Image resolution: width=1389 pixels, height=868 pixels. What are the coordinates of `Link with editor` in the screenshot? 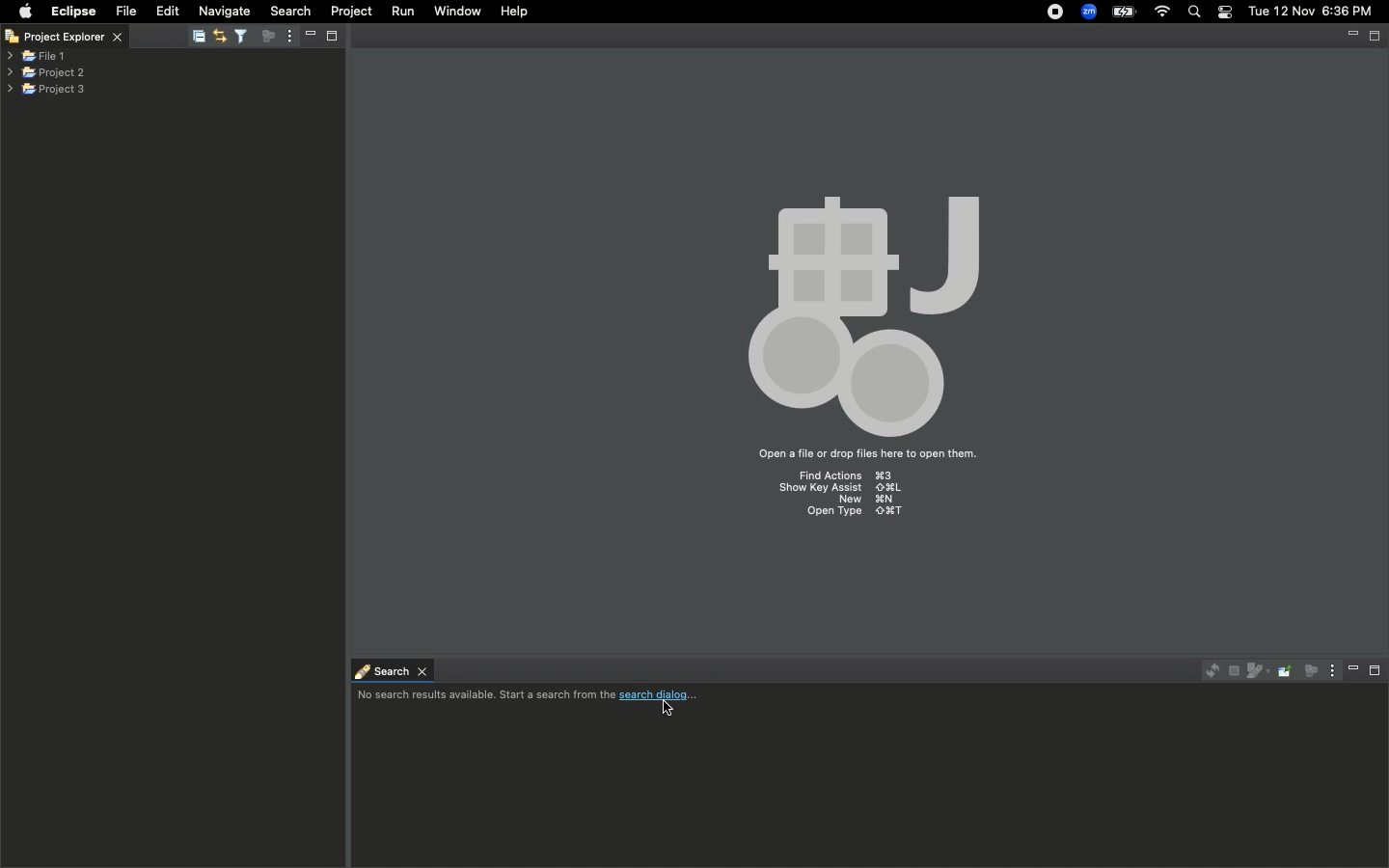 It's located at (218, 34).